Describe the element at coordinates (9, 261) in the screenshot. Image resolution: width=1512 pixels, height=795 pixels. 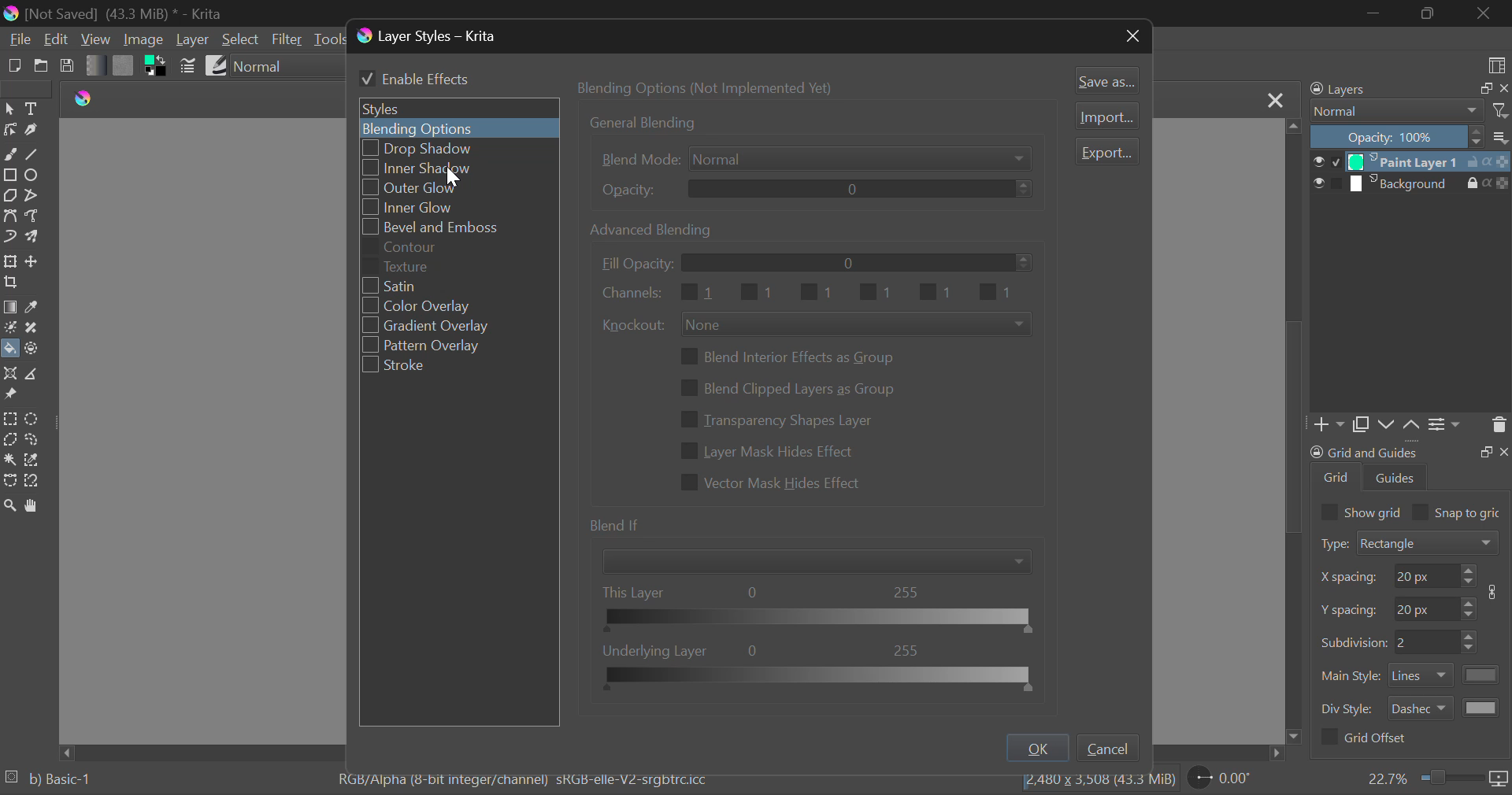
I see `Transform Layer` at that location.